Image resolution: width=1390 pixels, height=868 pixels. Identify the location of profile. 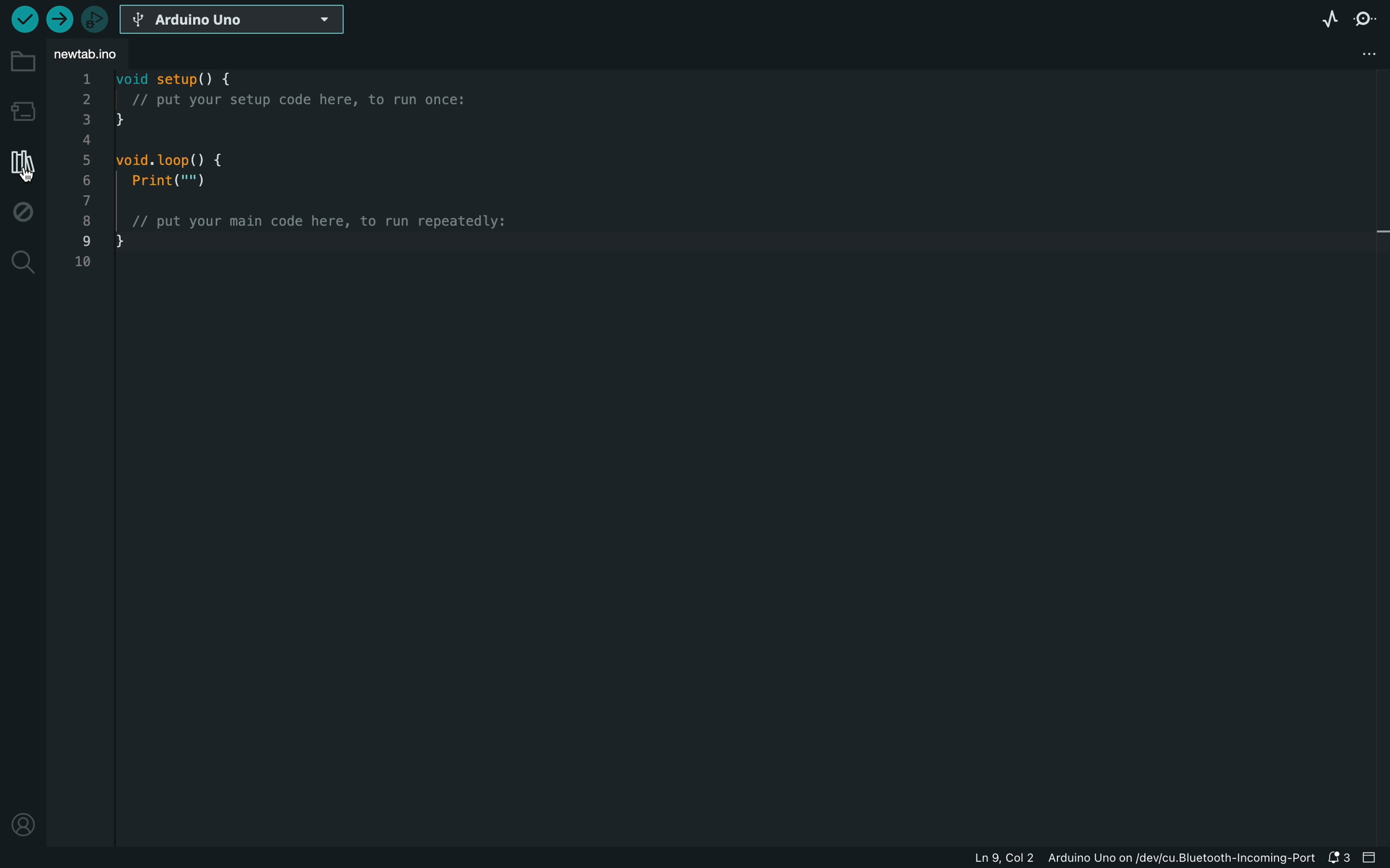
(22, 822).